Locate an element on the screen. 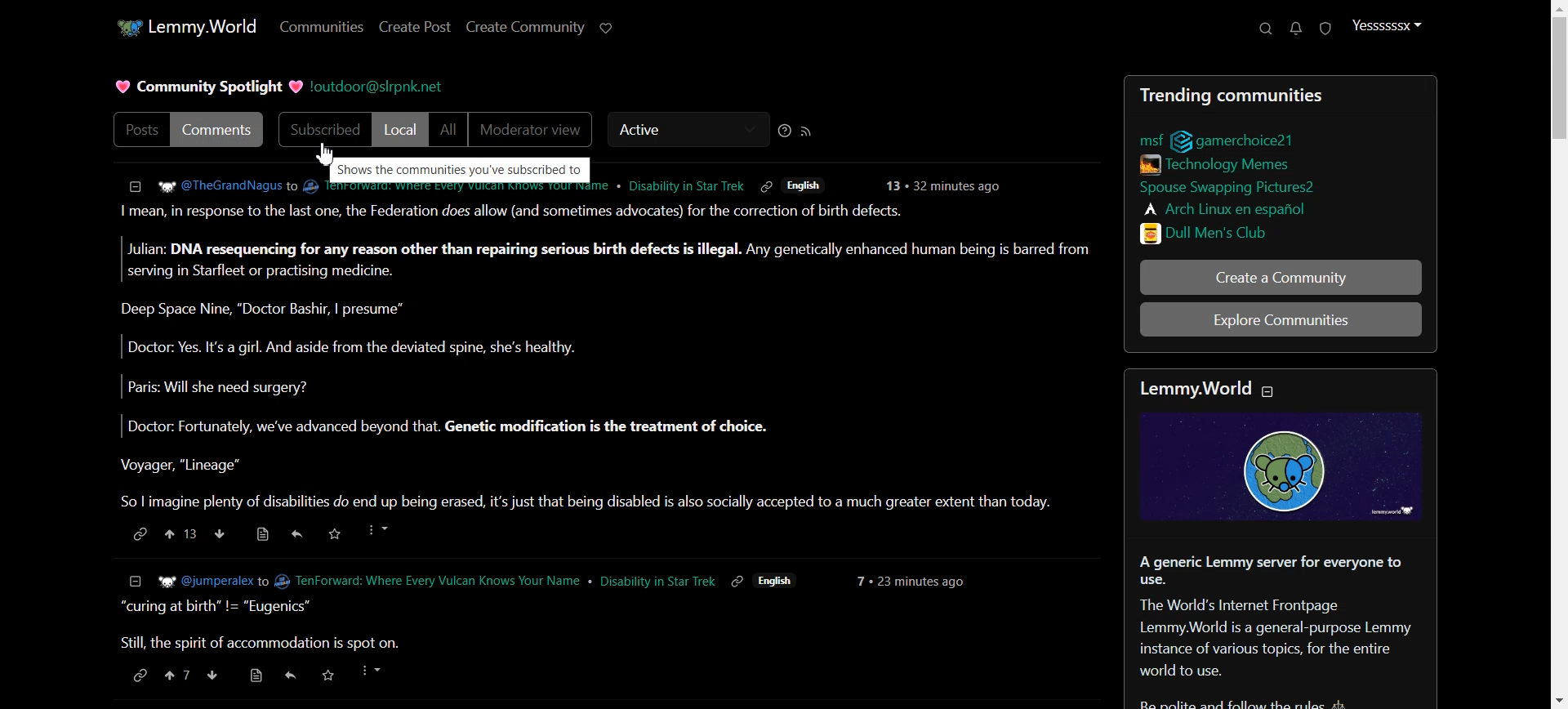  username is located at coordinates (187, 579).